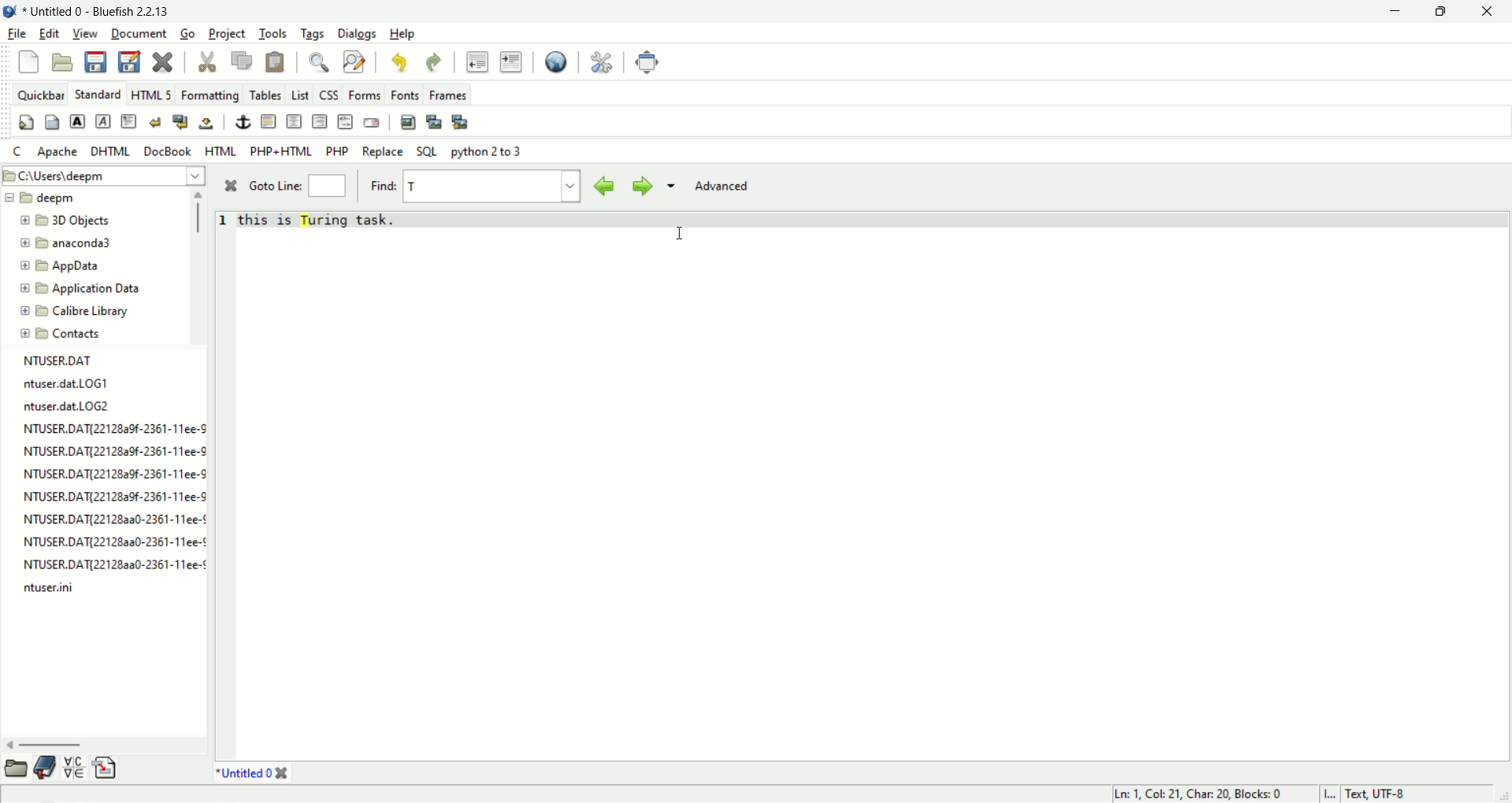  I want to click on PHP+HTML, so click(281, 152).